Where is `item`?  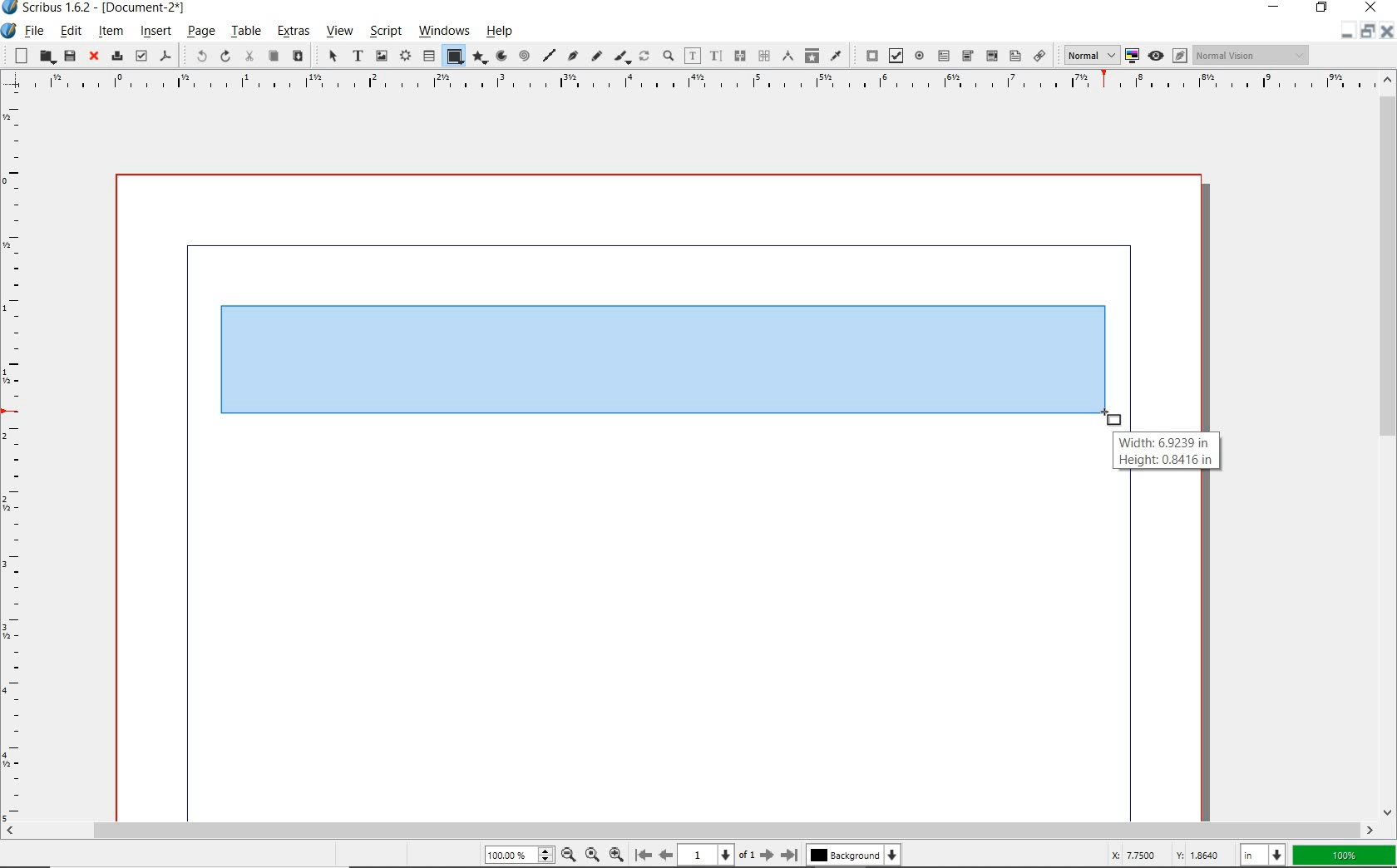 item is located at coordinates (111, 32).